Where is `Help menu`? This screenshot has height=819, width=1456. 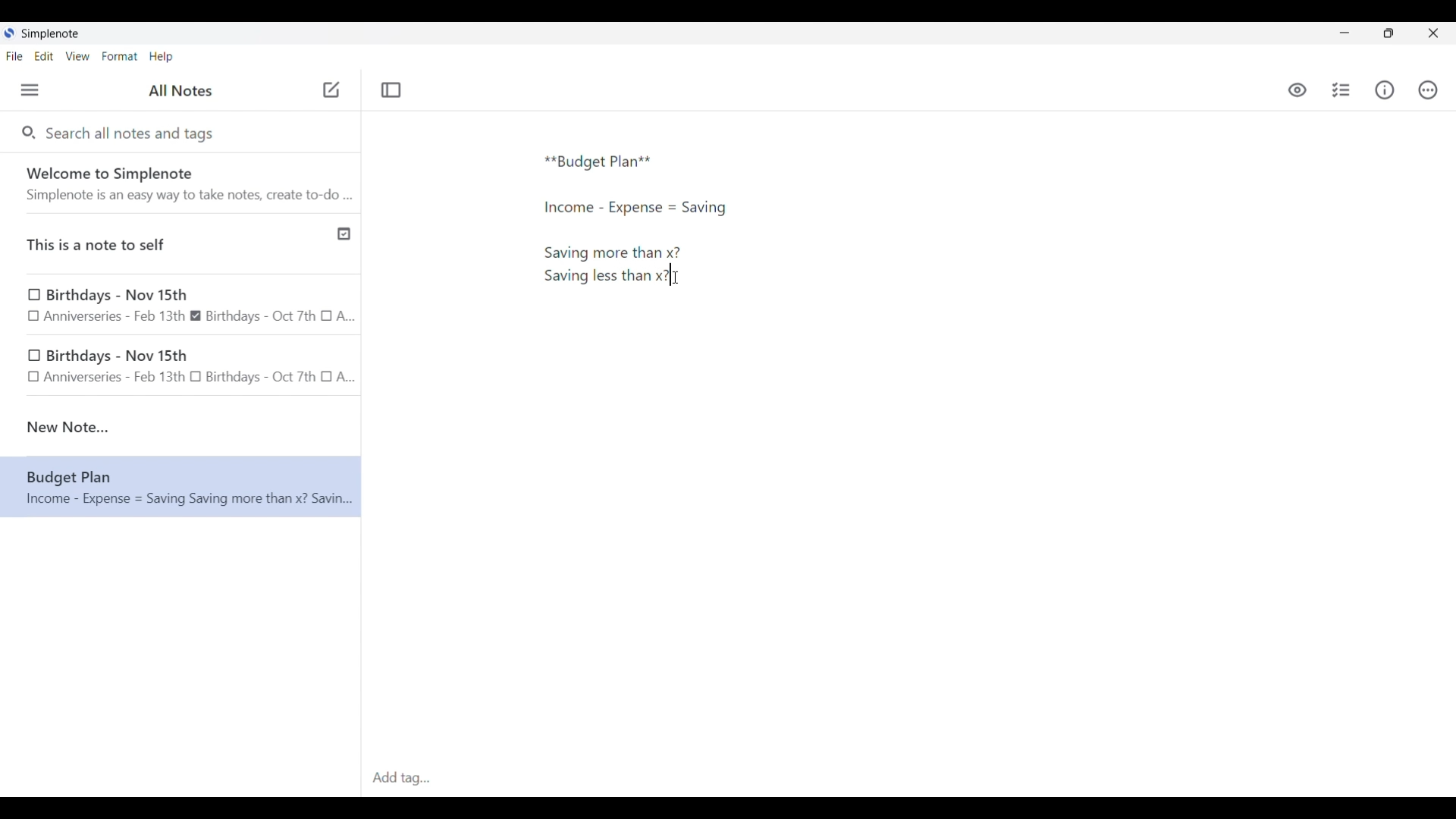
Help menu is located at coordinates (161, 56).